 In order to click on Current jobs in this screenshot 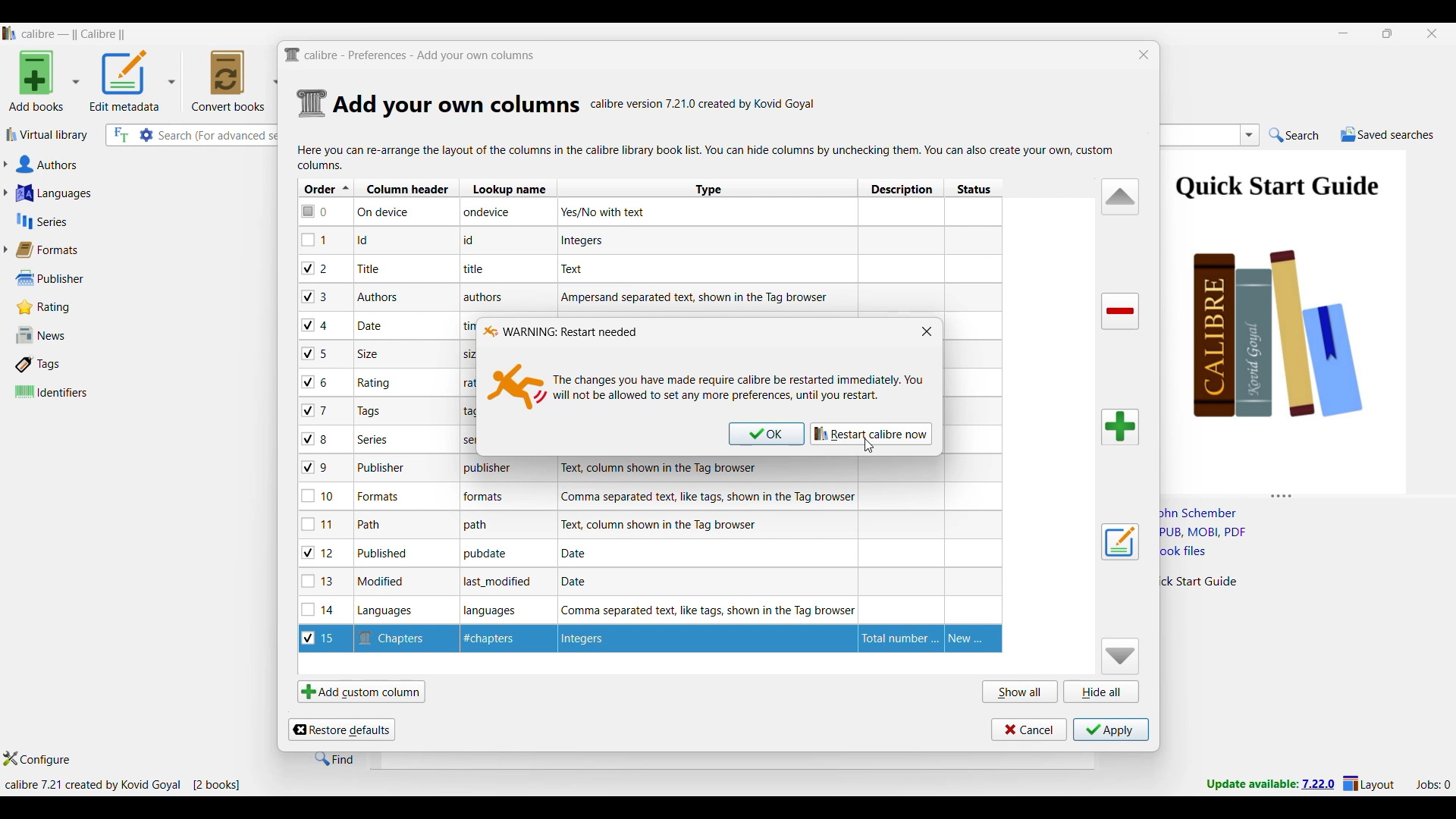, I will do `click(1432, 785)`.